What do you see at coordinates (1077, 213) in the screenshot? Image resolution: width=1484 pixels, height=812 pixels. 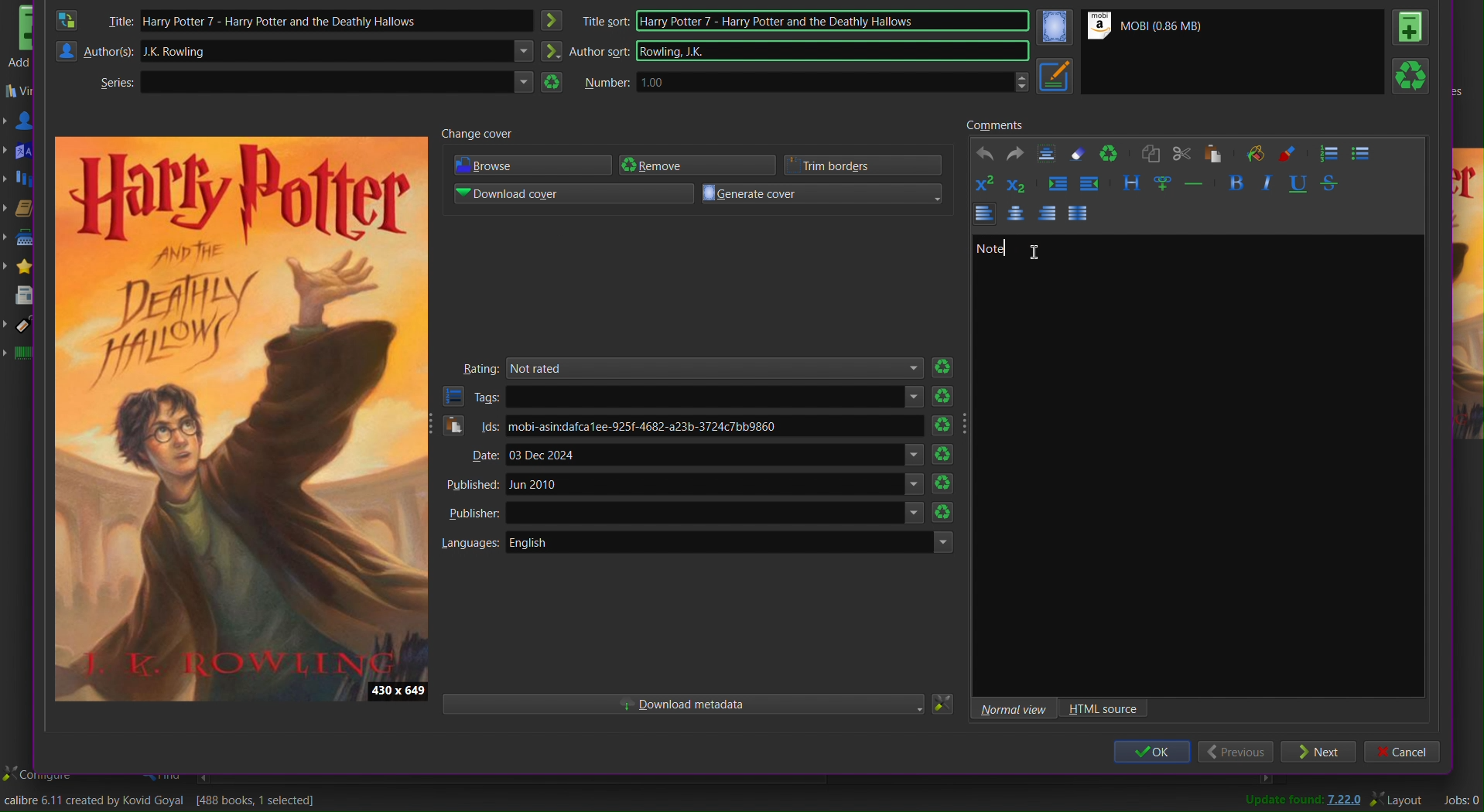 I see `Justify` at bounding box center [1077, 213].